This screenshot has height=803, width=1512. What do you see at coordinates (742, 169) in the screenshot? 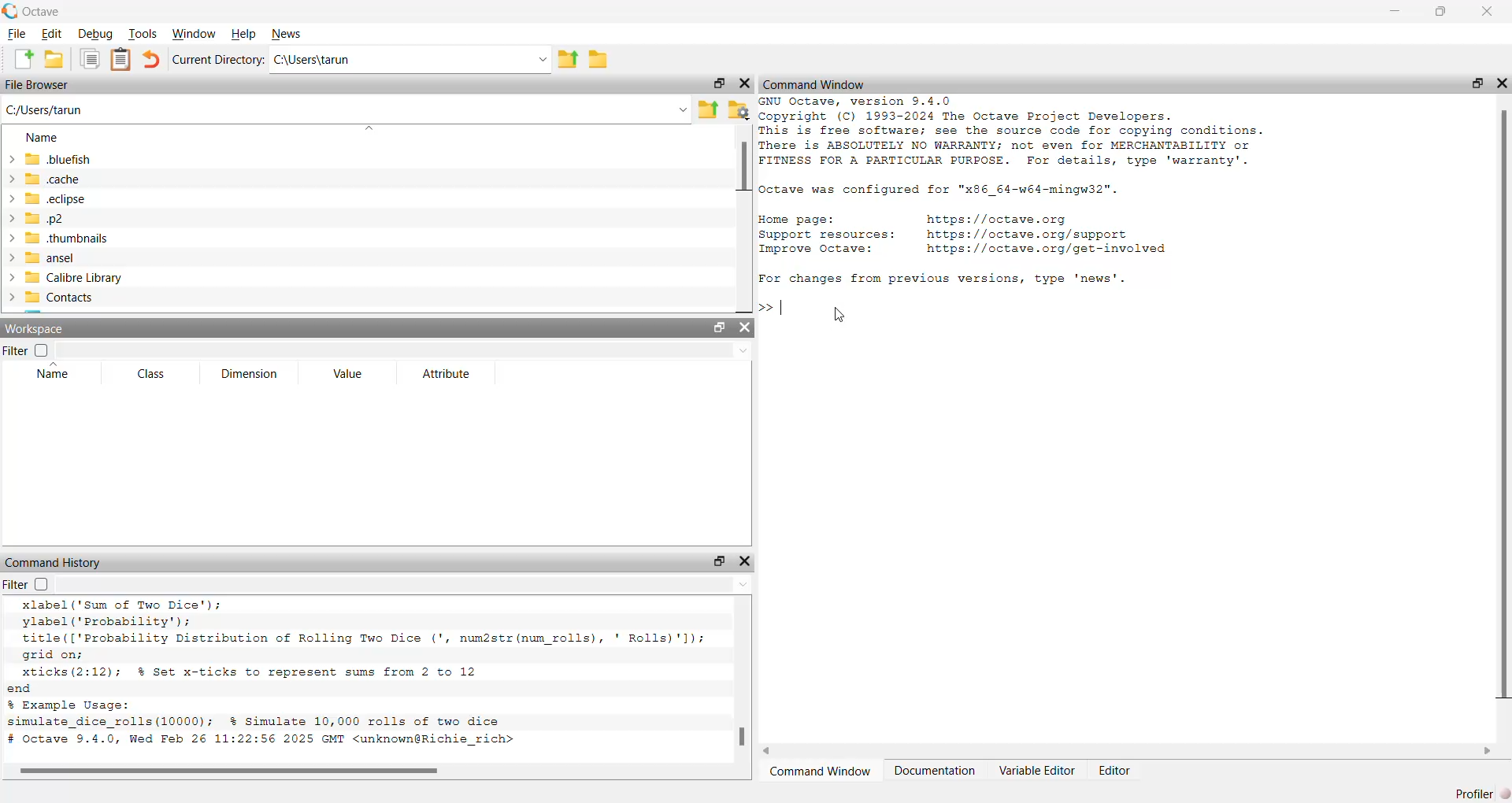
I see `Scrollbar` at bounding box center [742, 169].